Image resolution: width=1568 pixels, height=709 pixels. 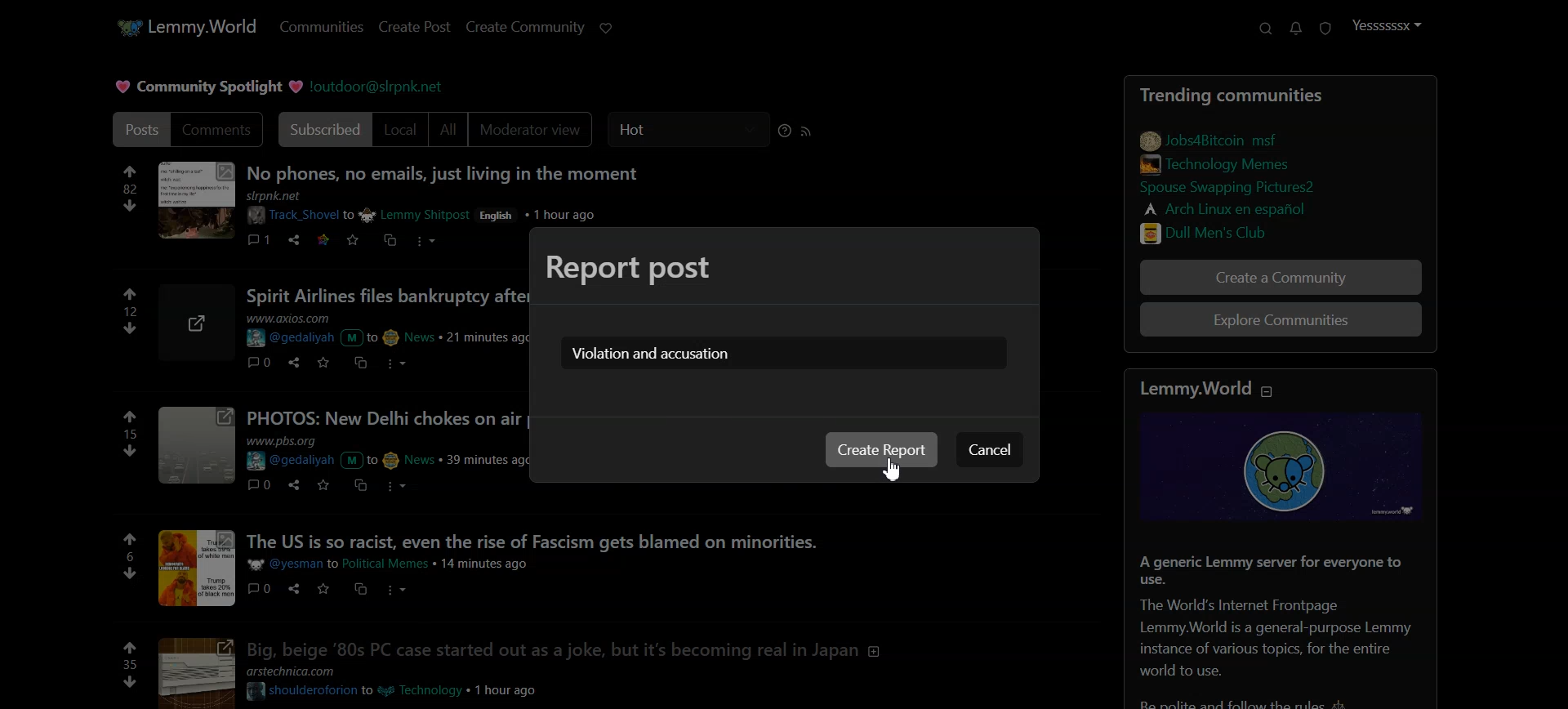 I want to click on Subscribed, so click(x=322, y=130).